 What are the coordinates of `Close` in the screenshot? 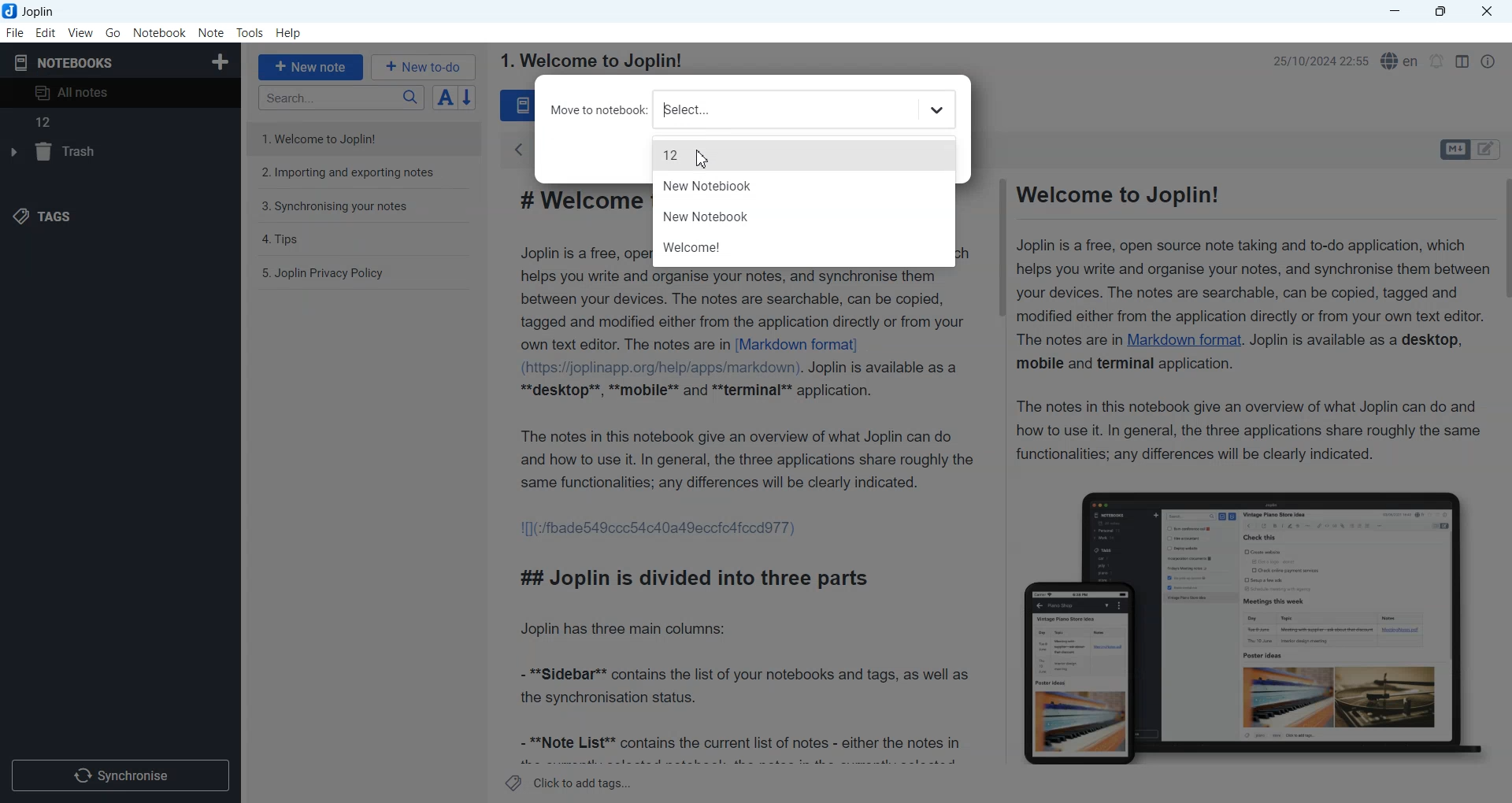 It's located at (1485, 12).